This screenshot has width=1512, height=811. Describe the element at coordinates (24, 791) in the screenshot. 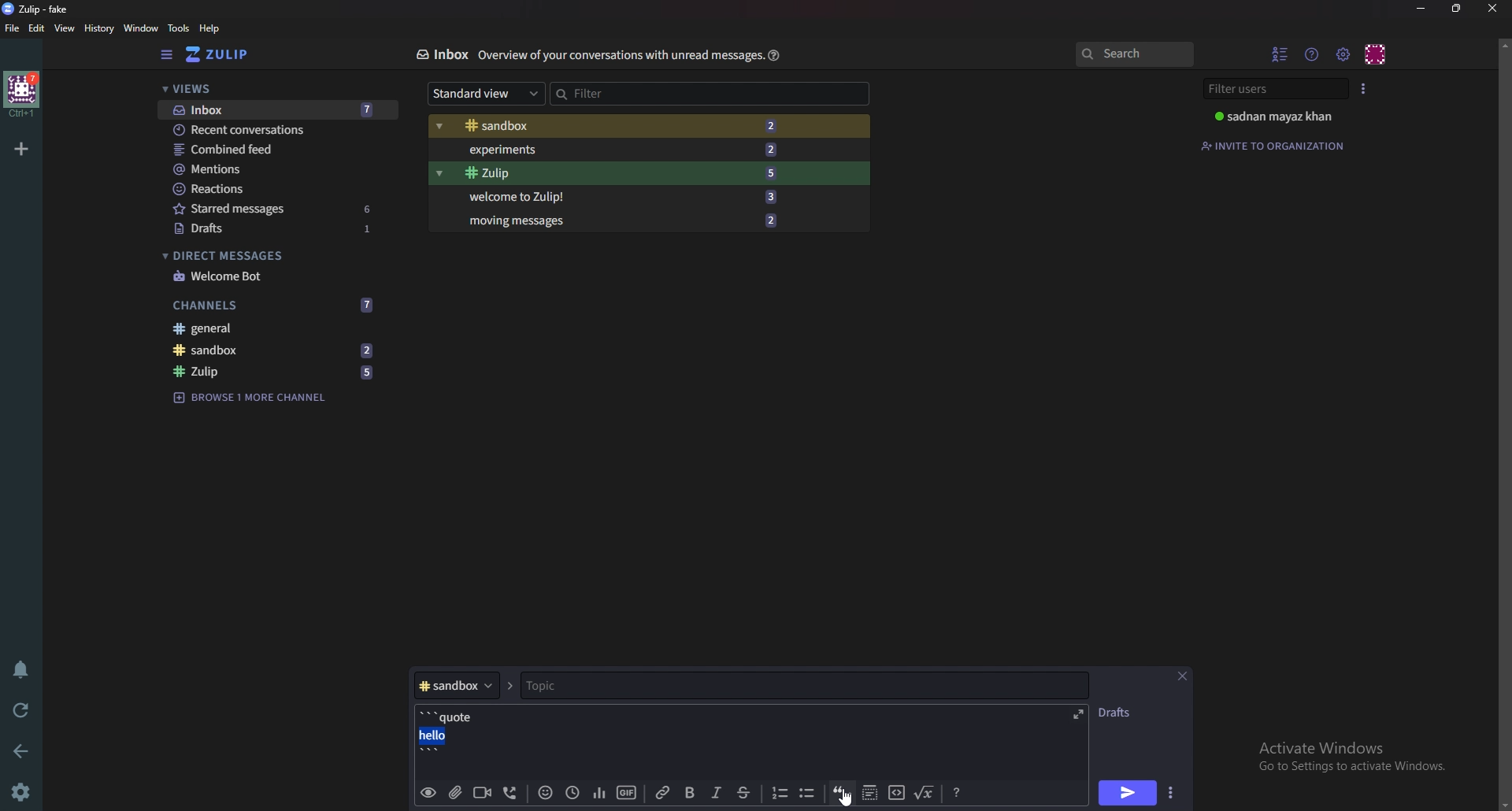

I see `settings` at that location.